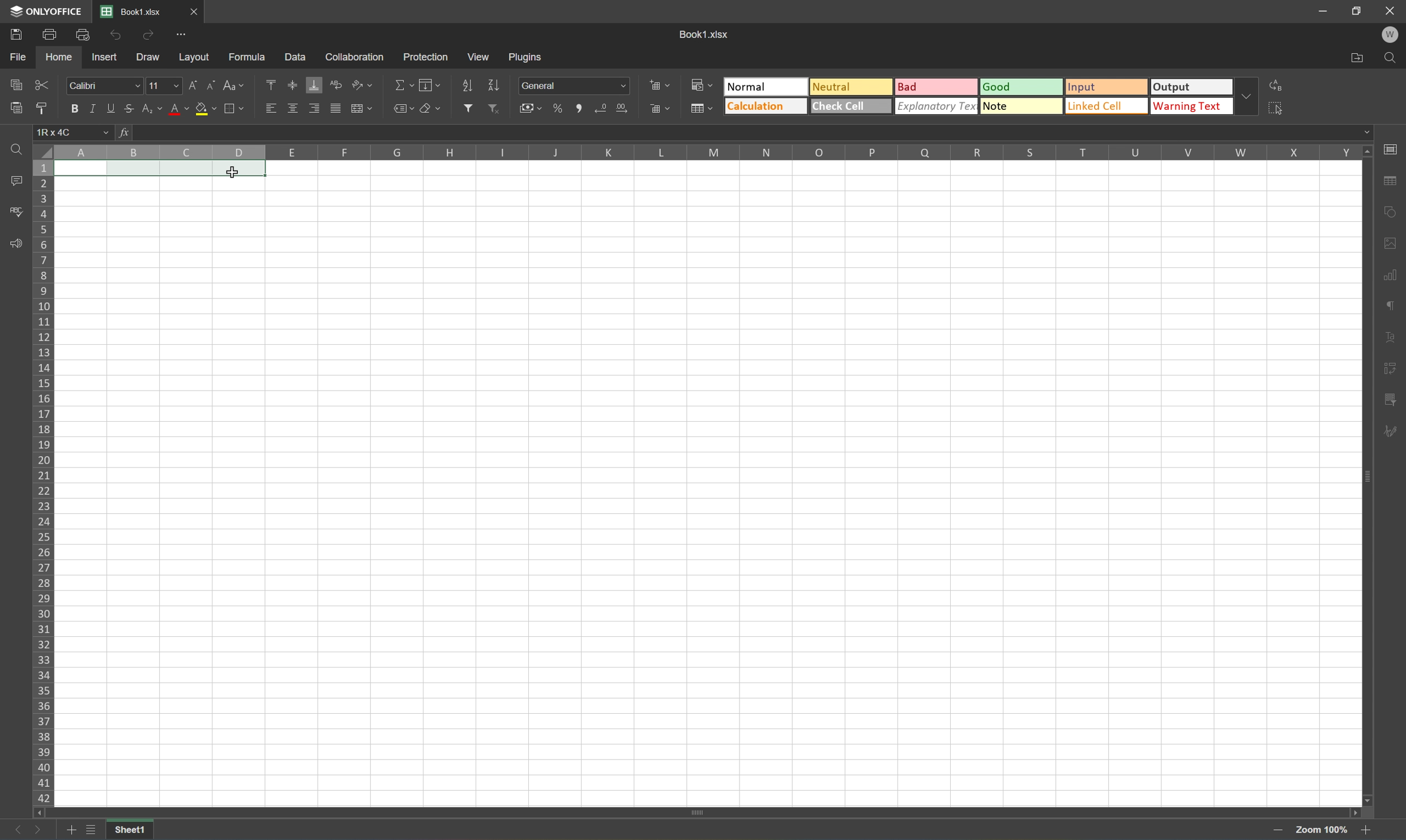  Describe the element at coordinates (1388, 306) in the screenshot. I see `Paragraph settings` at that location.